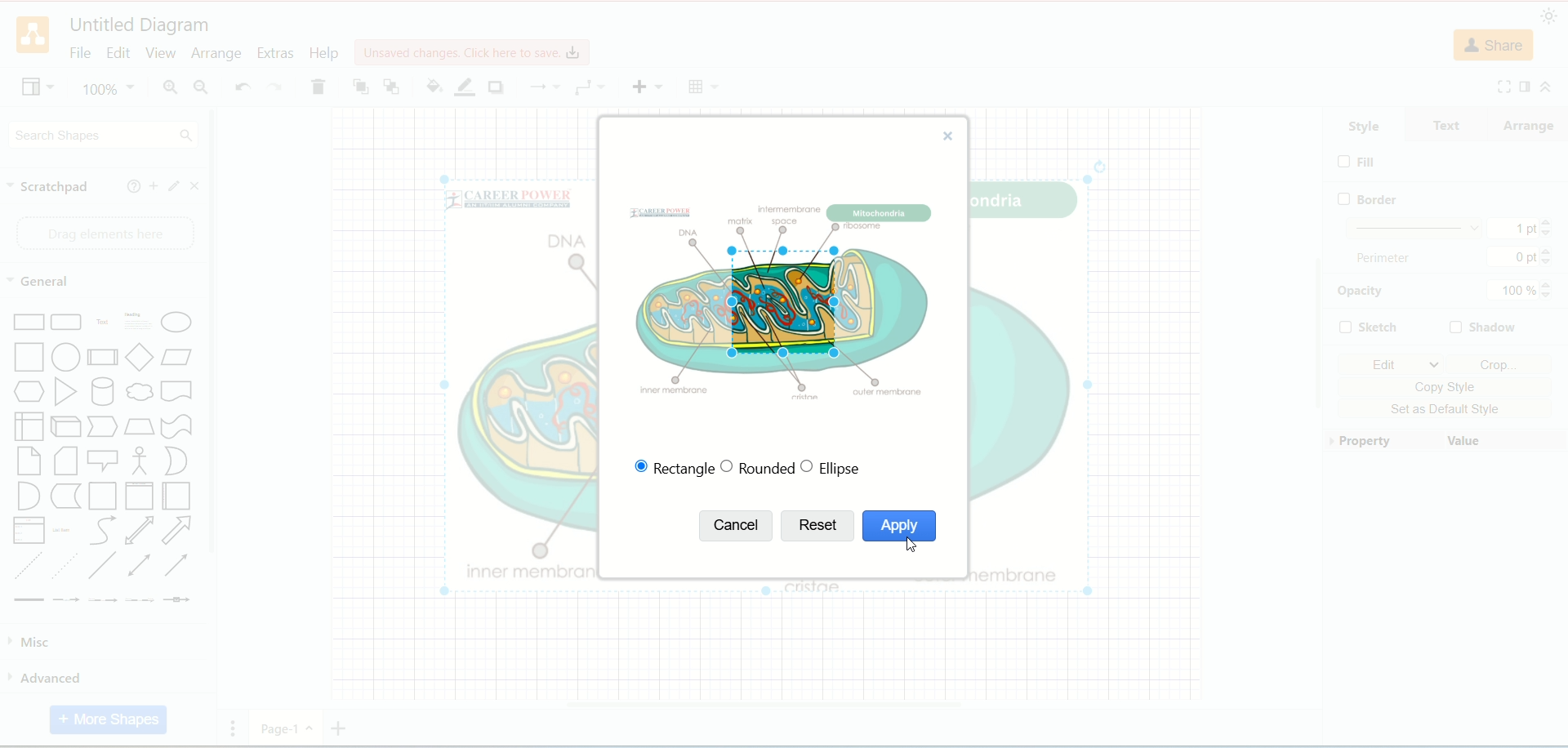  Describe the element at coordinates (102, 602) in the screenshot. I see `Connector with 2 Labels` at that location.